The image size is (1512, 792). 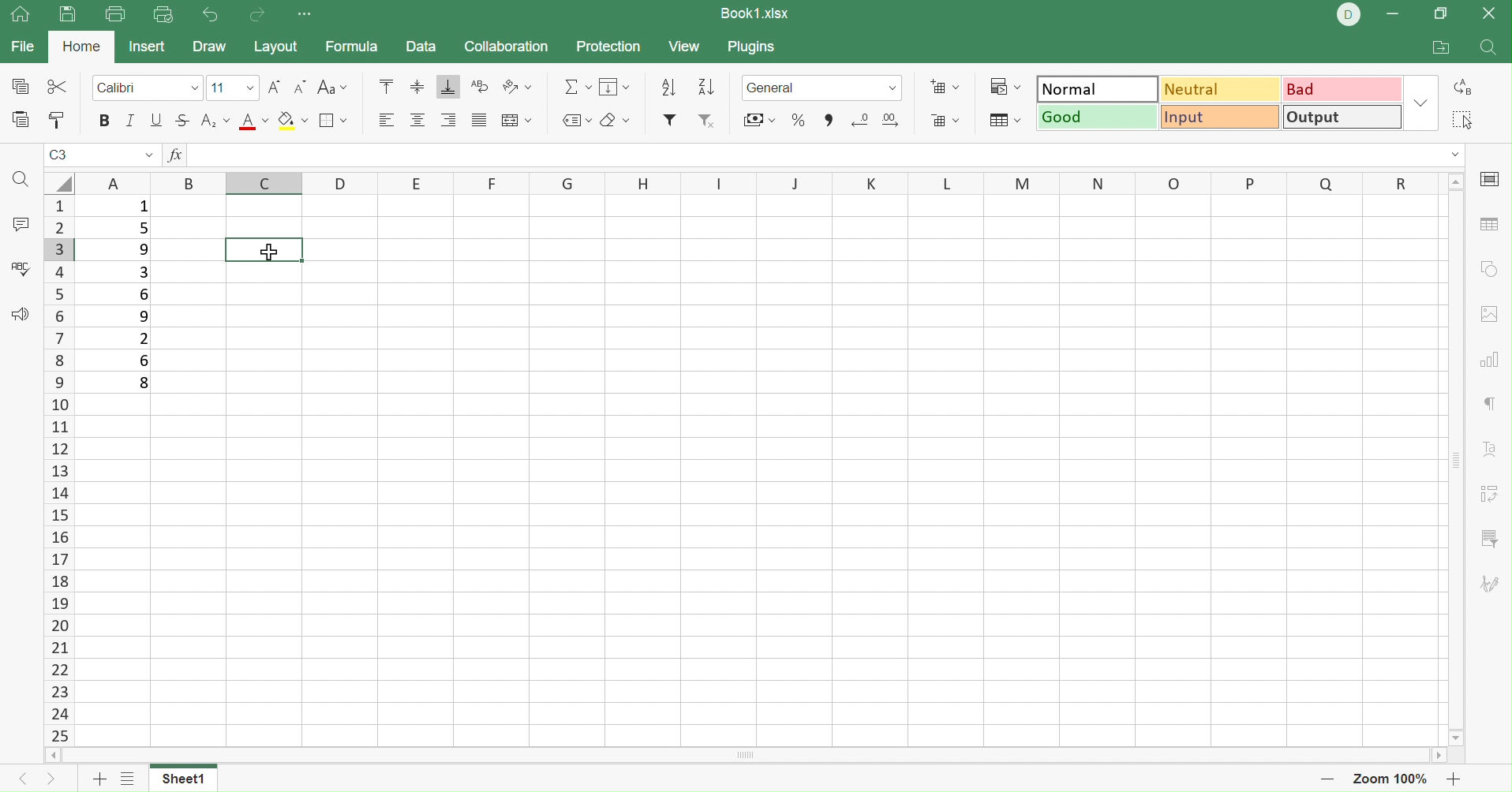 What do you see at coordinates (19, 15) in the screenshot?
I see `Show main window` at bounding box center [19, 15].